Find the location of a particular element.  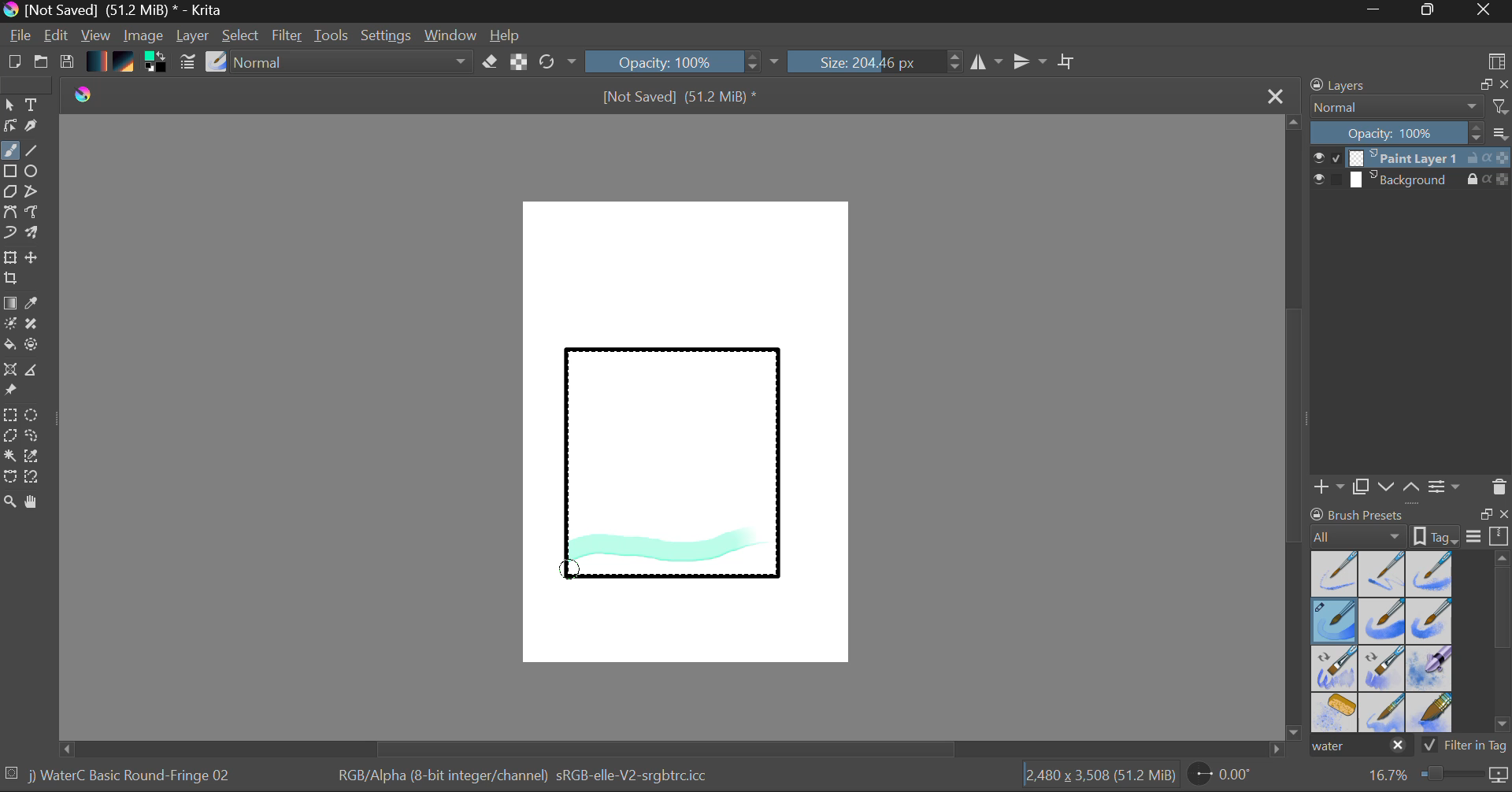

Delete Layer is located at coordinates (1499, 487).